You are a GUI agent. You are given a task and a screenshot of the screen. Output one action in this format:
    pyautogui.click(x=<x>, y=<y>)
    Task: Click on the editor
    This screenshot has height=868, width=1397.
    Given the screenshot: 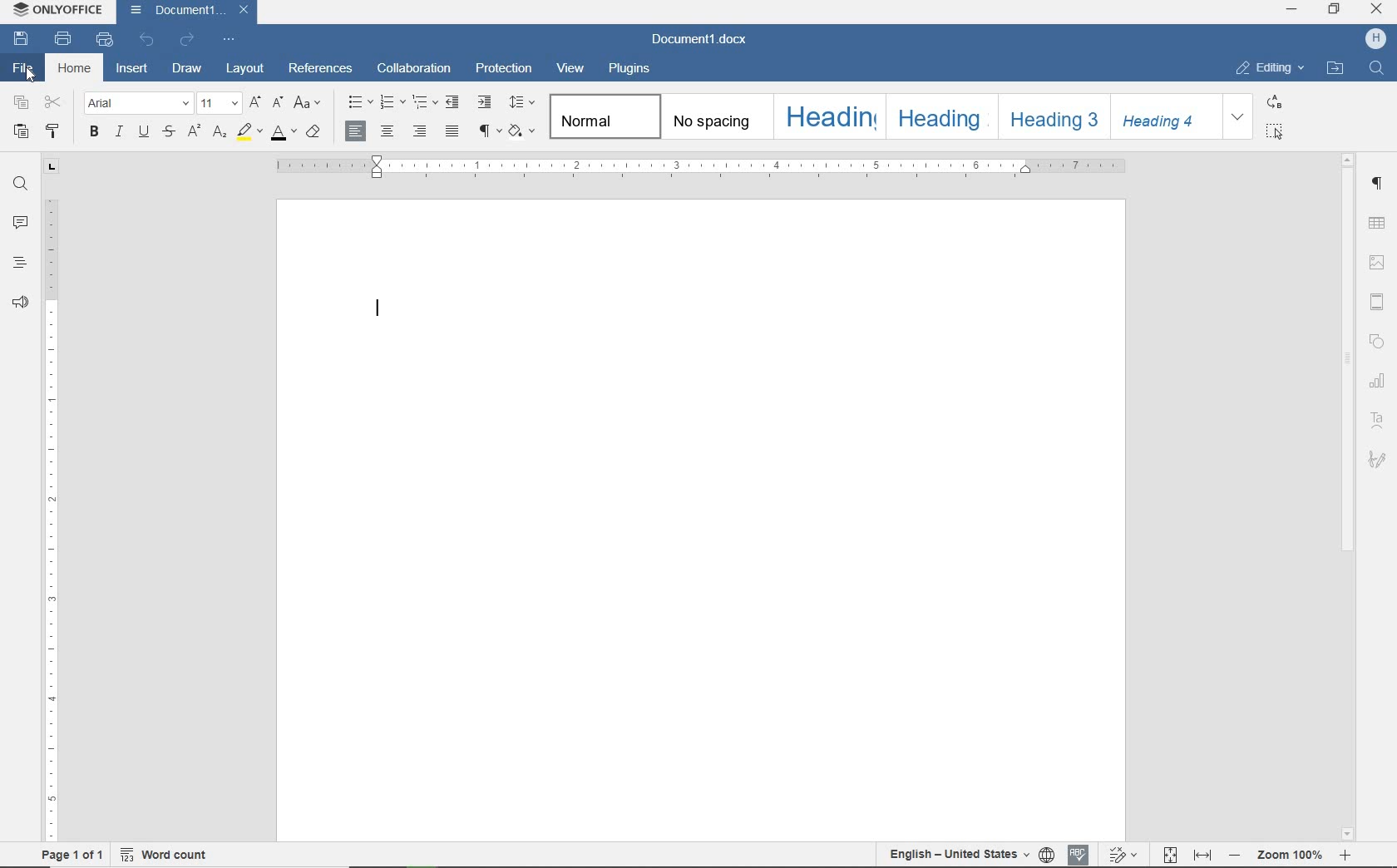 What is the action you would take?
    pyautogui.click(x=378, y=314)
    